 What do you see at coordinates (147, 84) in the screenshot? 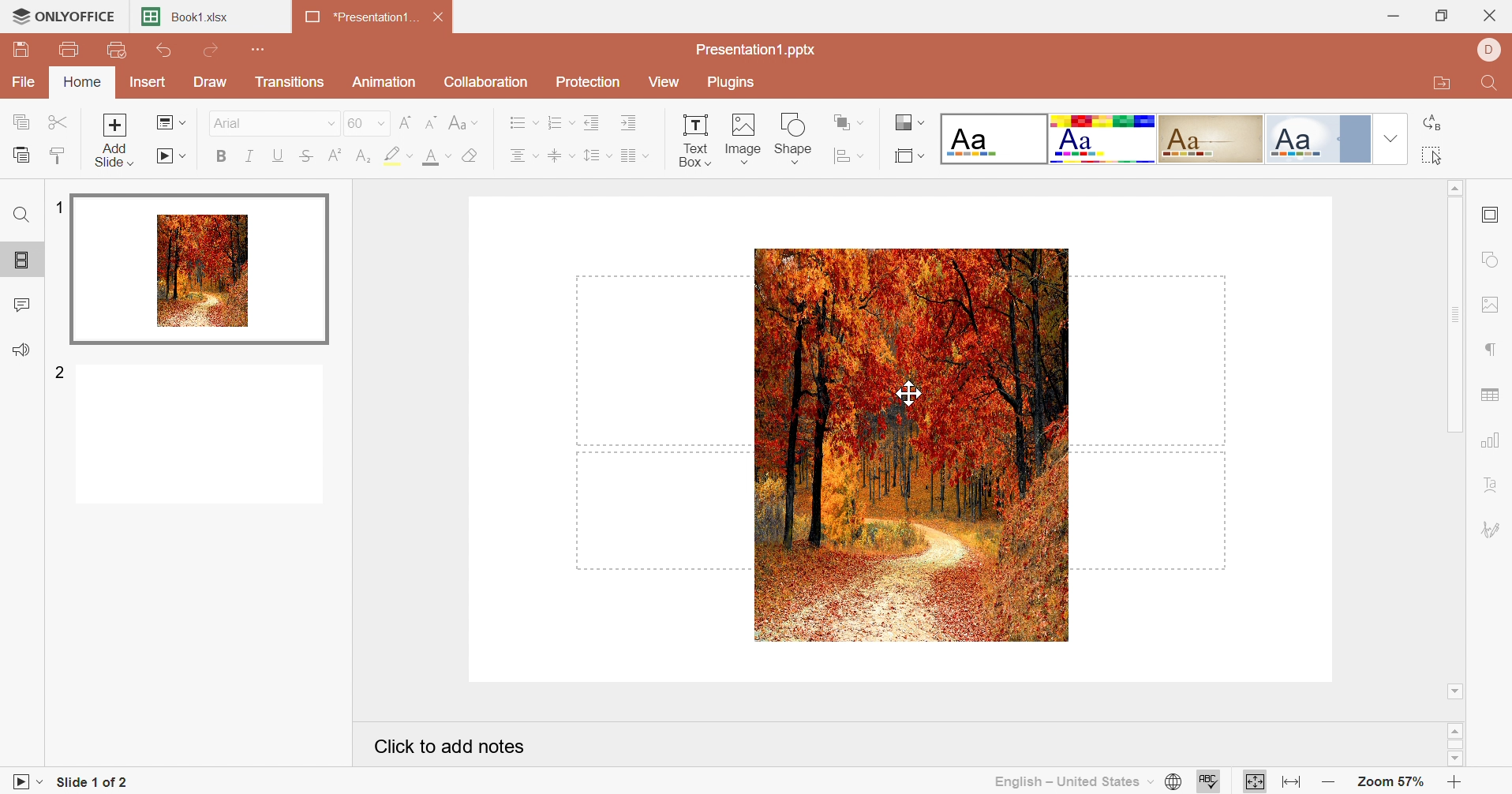
I see `Insert` at bounding box center [147, 84].